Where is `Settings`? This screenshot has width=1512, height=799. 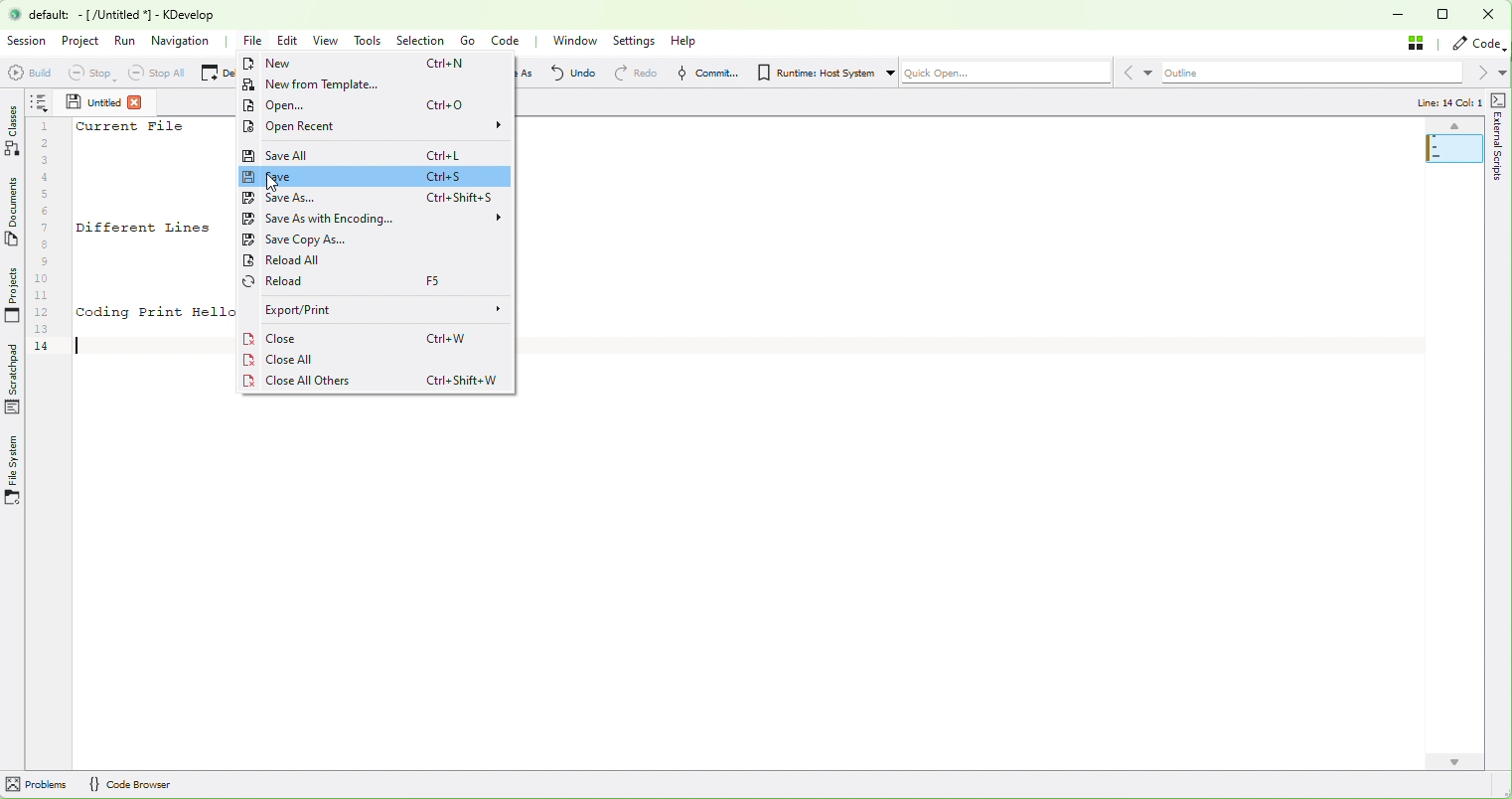
Settings is located at coordinates (638, 42).